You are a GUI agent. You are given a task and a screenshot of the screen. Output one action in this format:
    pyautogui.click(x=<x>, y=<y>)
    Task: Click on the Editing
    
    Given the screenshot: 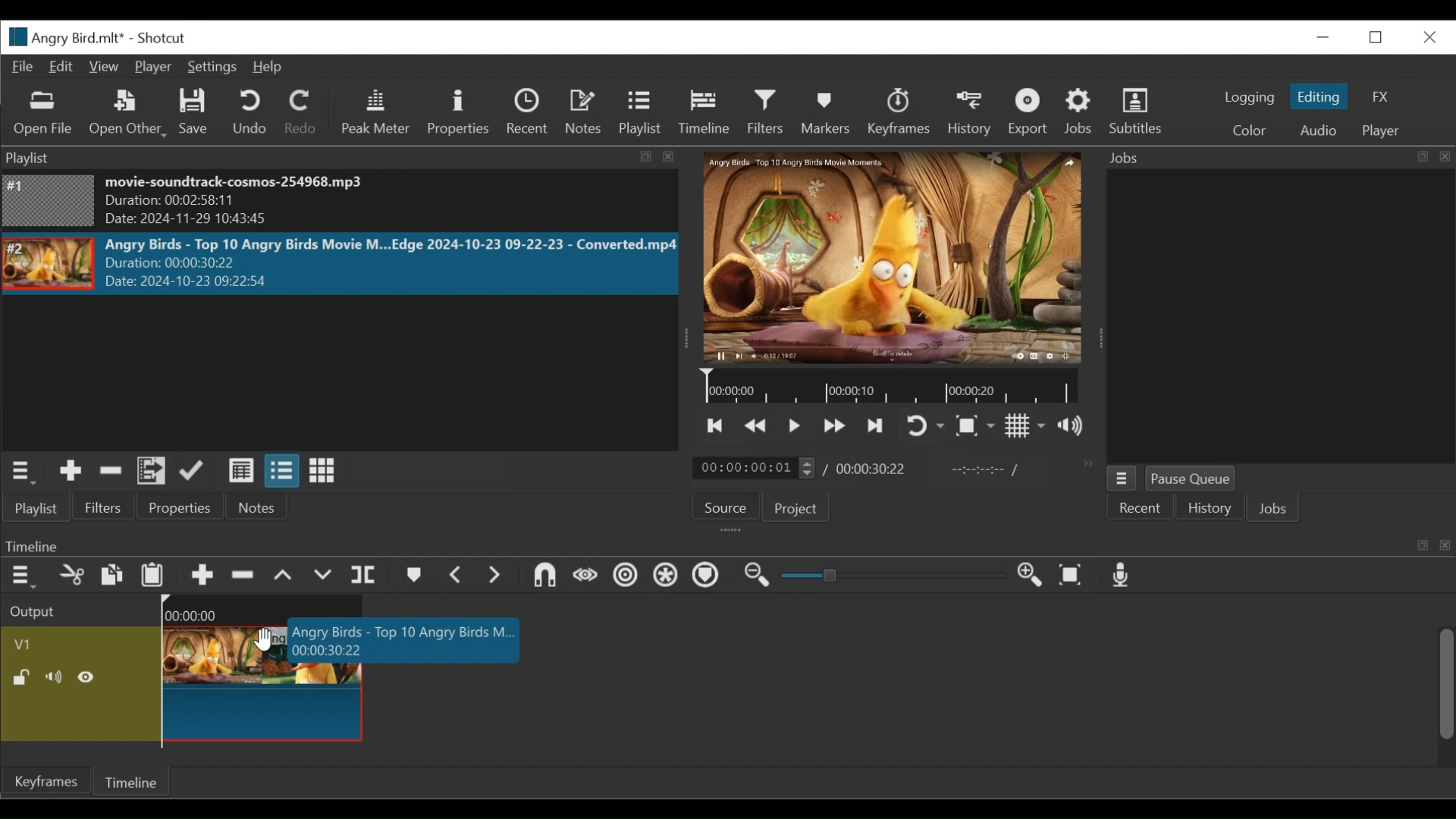 What is the action you would take?
    pyautogui.click(x=1319, y=97)
    